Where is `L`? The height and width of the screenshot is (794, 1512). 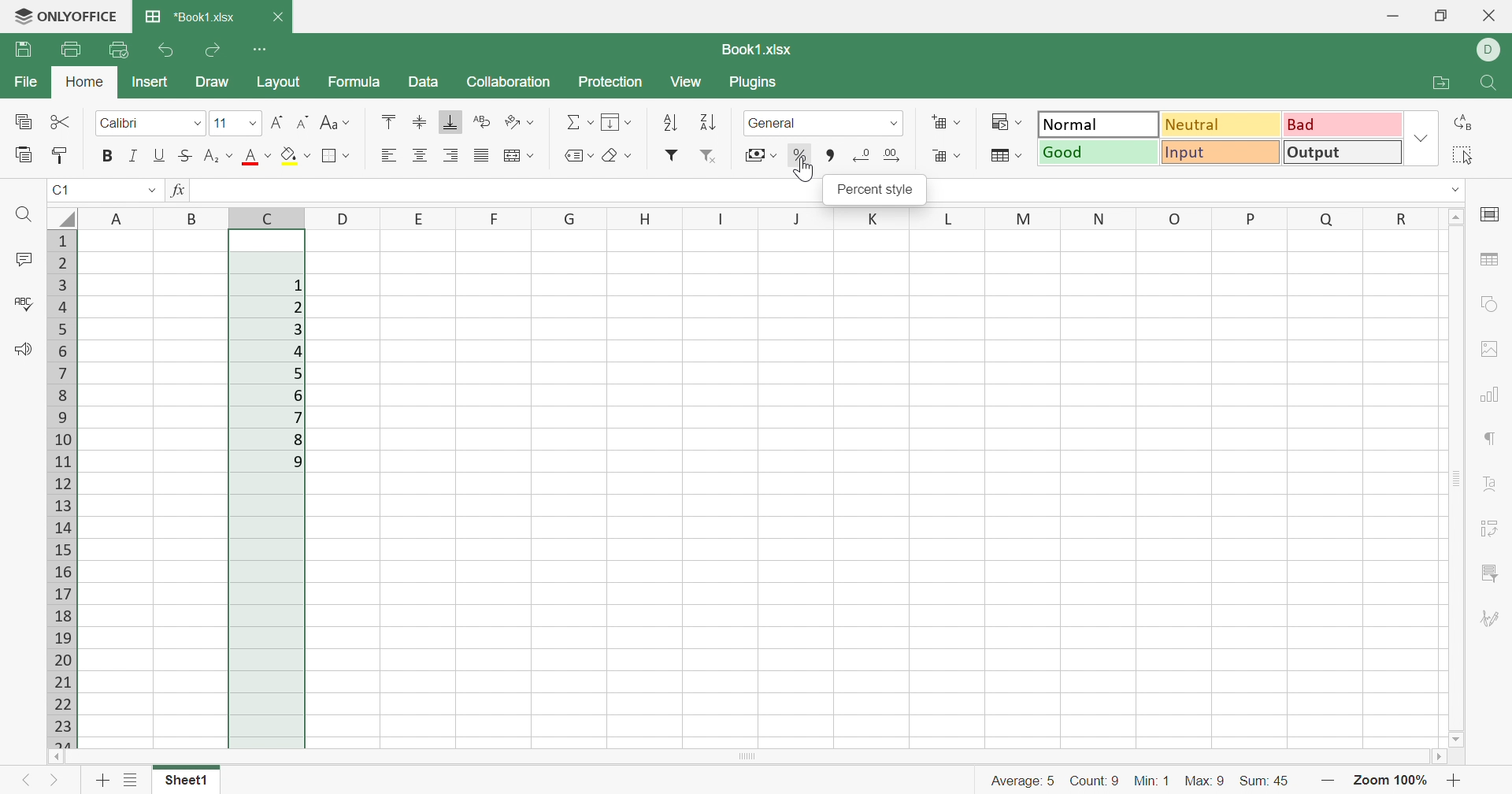
L is located at coordinates (946, 220).